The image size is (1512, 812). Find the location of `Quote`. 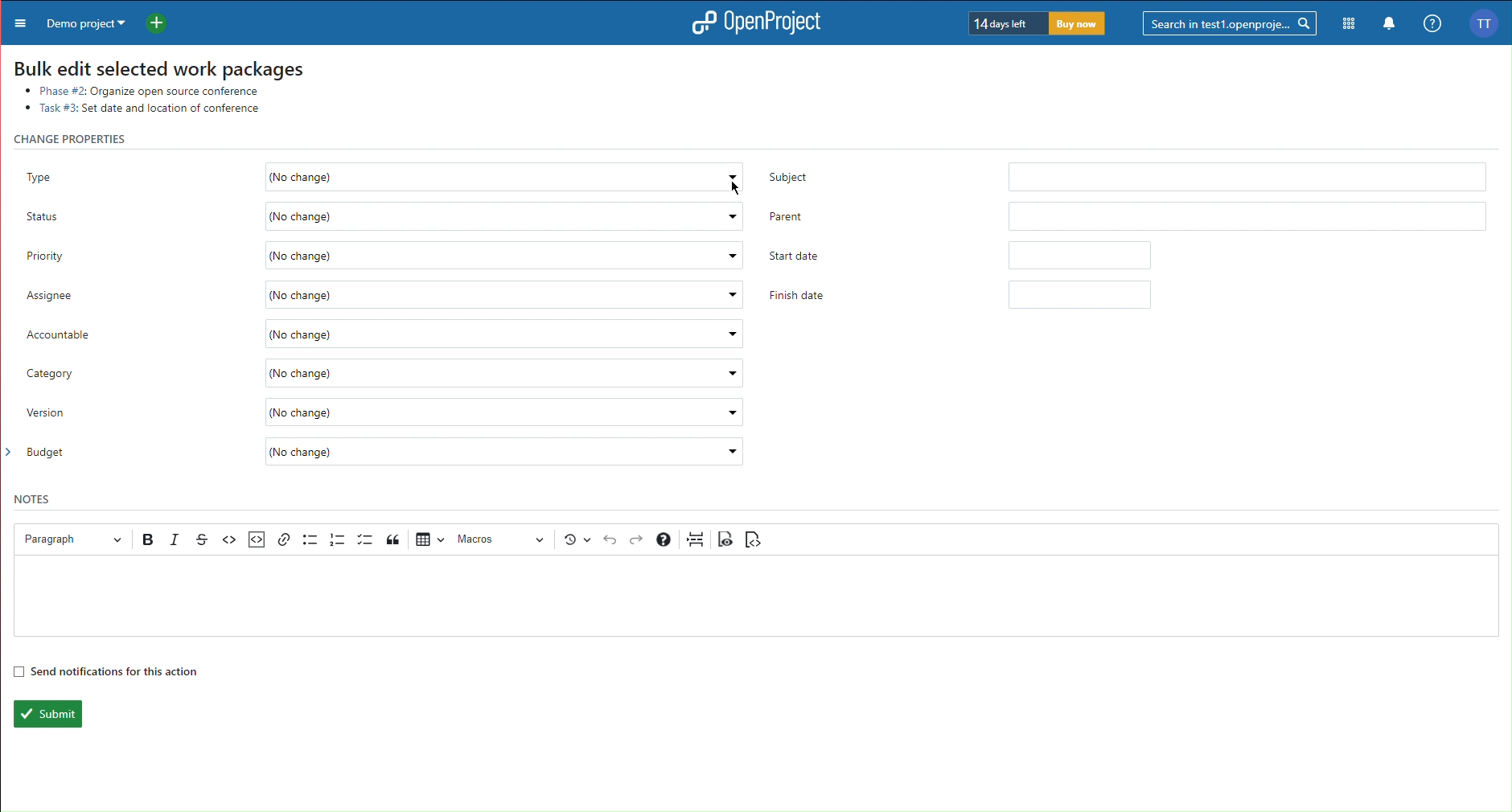

Quote is located at coordinates (395, 539).